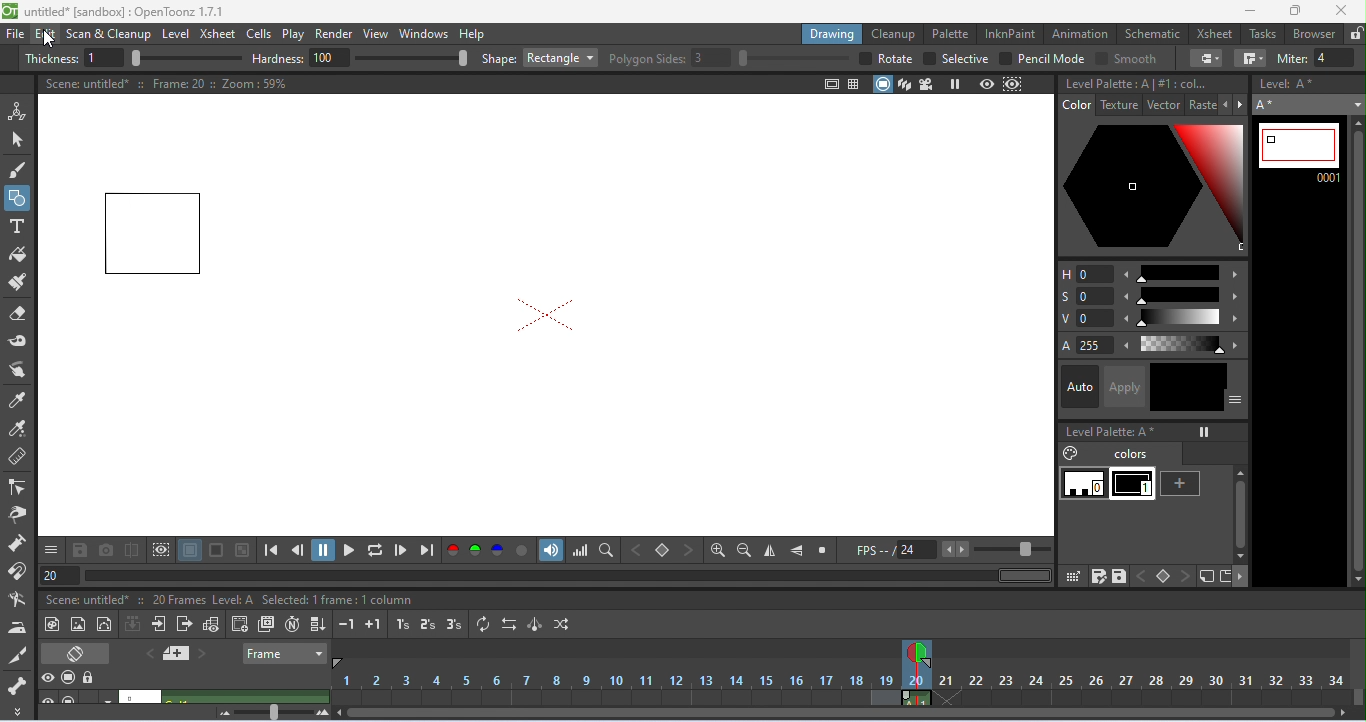 The height and width of the screenshot is (722, 1366). Describe the element at coordinates (270, 551) in the screenshot. I see `first frame` at that location.